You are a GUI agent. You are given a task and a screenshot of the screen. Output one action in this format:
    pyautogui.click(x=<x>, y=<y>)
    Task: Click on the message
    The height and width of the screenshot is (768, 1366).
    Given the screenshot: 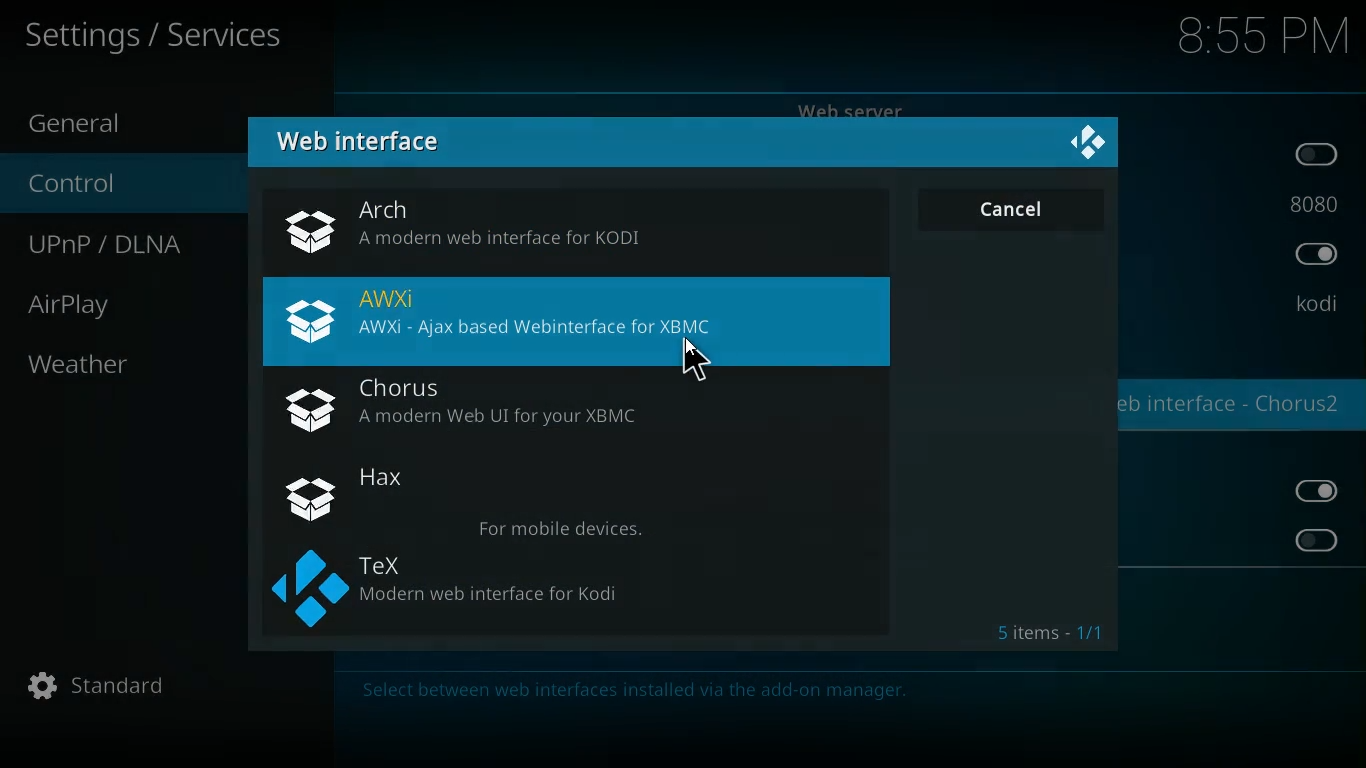 What is the action you would take?
    pyautogui.click(x=842, y=693)
    